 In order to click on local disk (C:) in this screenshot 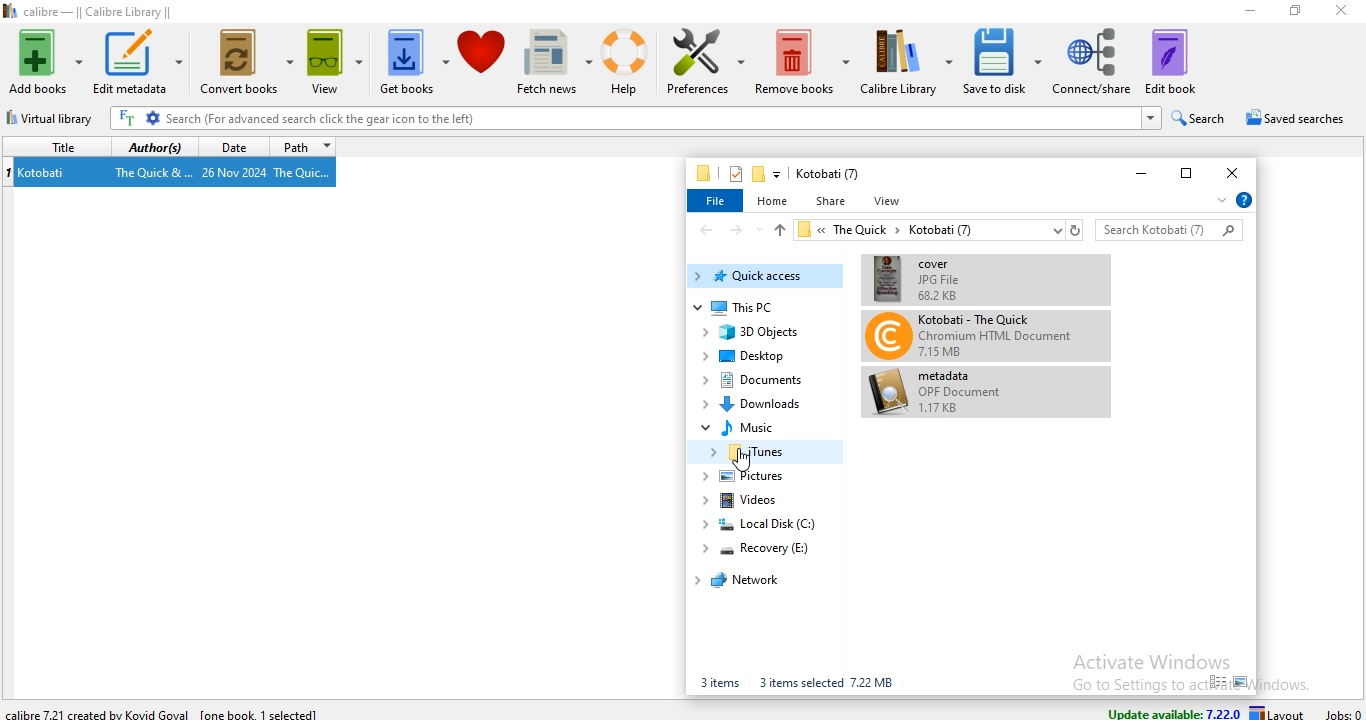, I will do `click(769, 523)`.